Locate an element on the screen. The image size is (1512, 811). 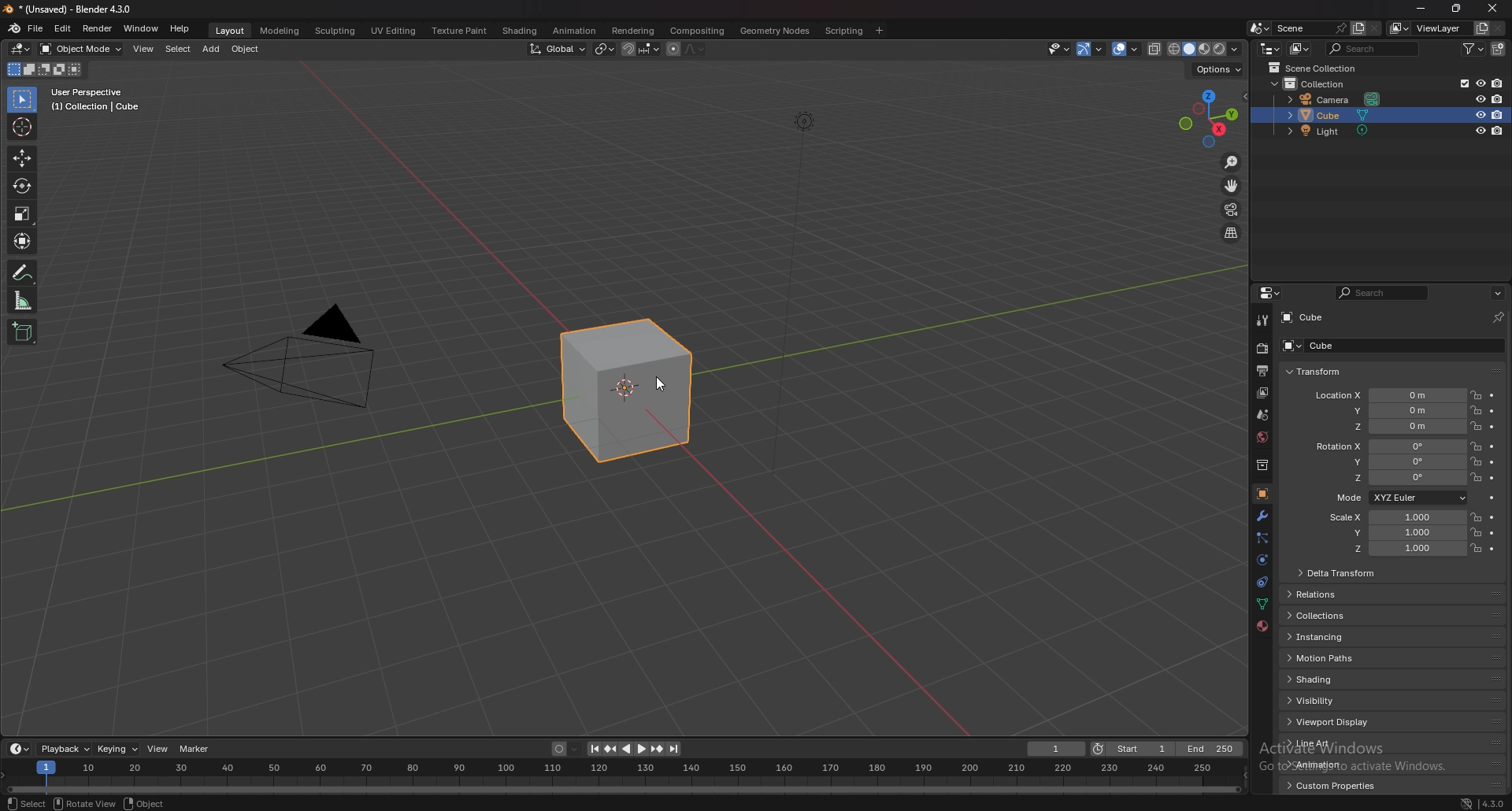
close is located at coordinates (1494, 7).